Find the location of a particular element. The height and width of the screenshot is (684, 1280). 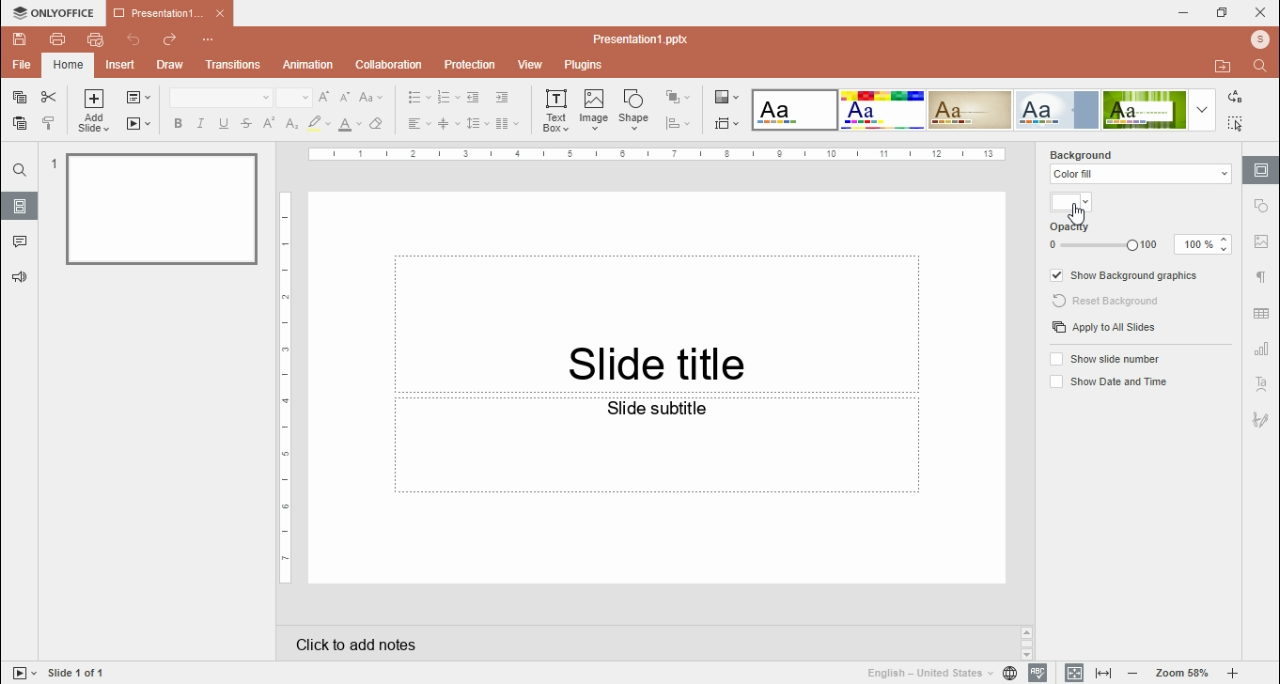

decrement font size is located at coordinates (347, 97).